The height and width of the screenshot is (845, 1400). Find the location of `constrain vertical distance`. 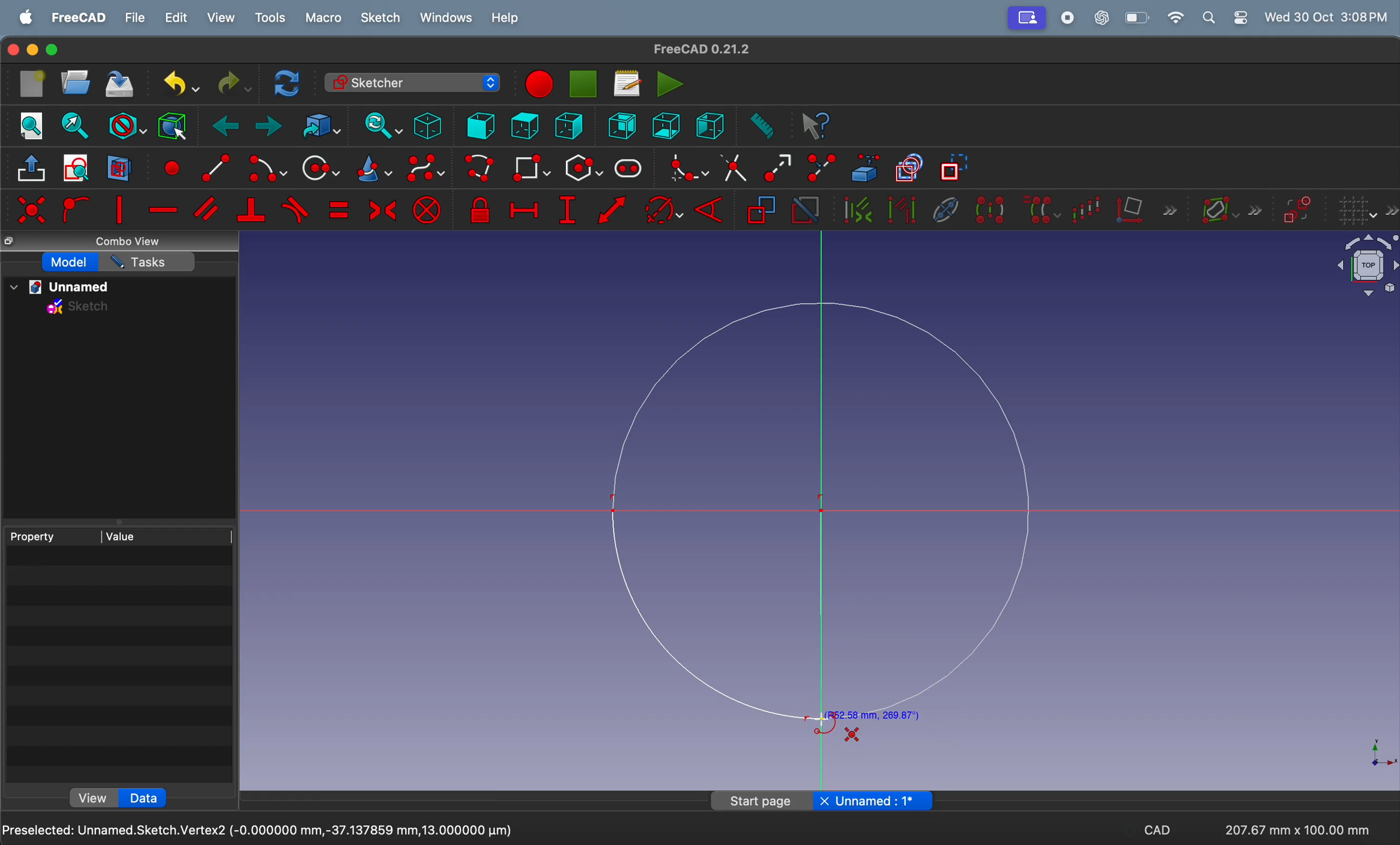

constrain vertical distance is located at coordinates (567, 210).